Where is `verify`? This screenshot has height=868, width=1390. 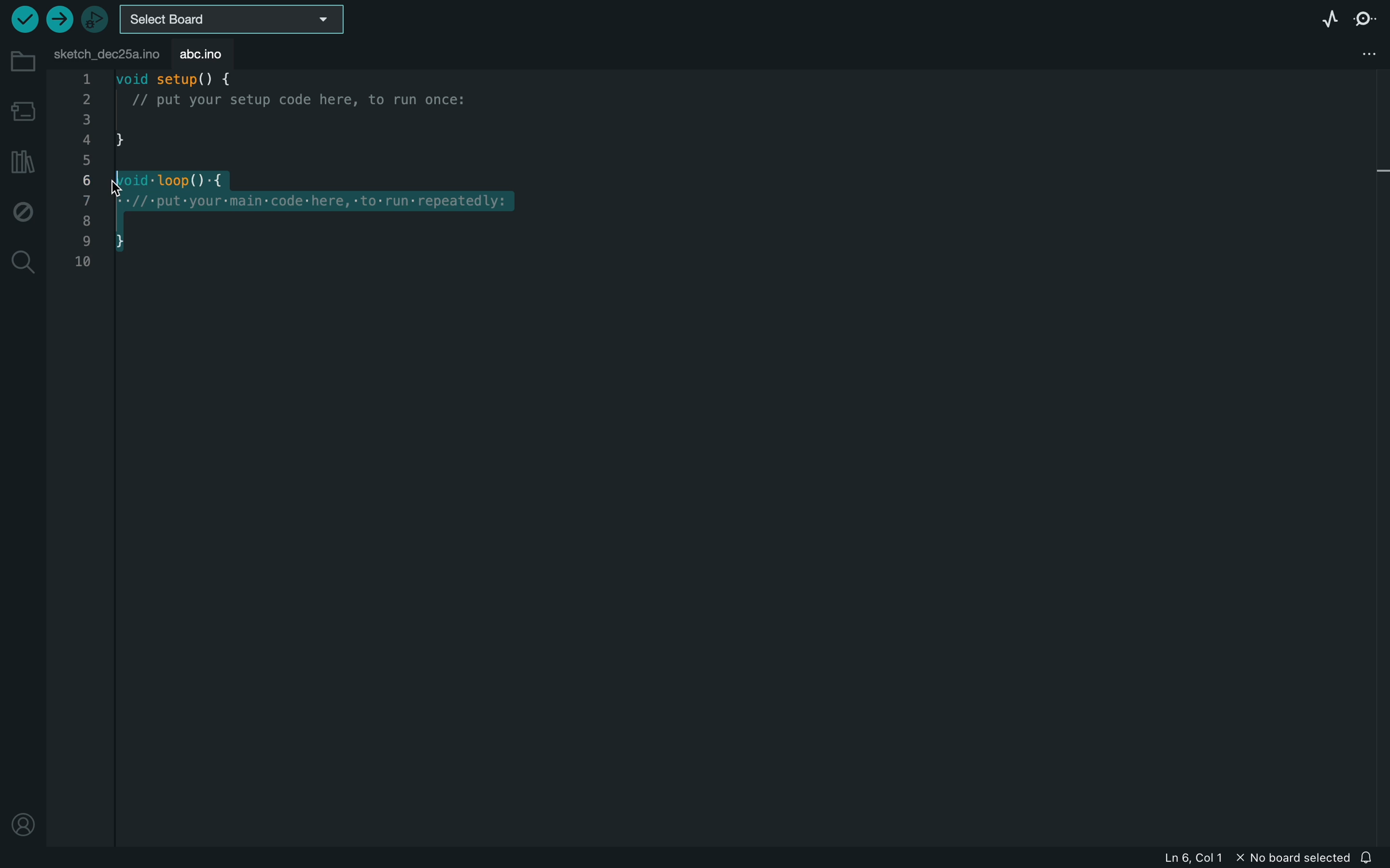 verify is located at coordinates (23, 18).